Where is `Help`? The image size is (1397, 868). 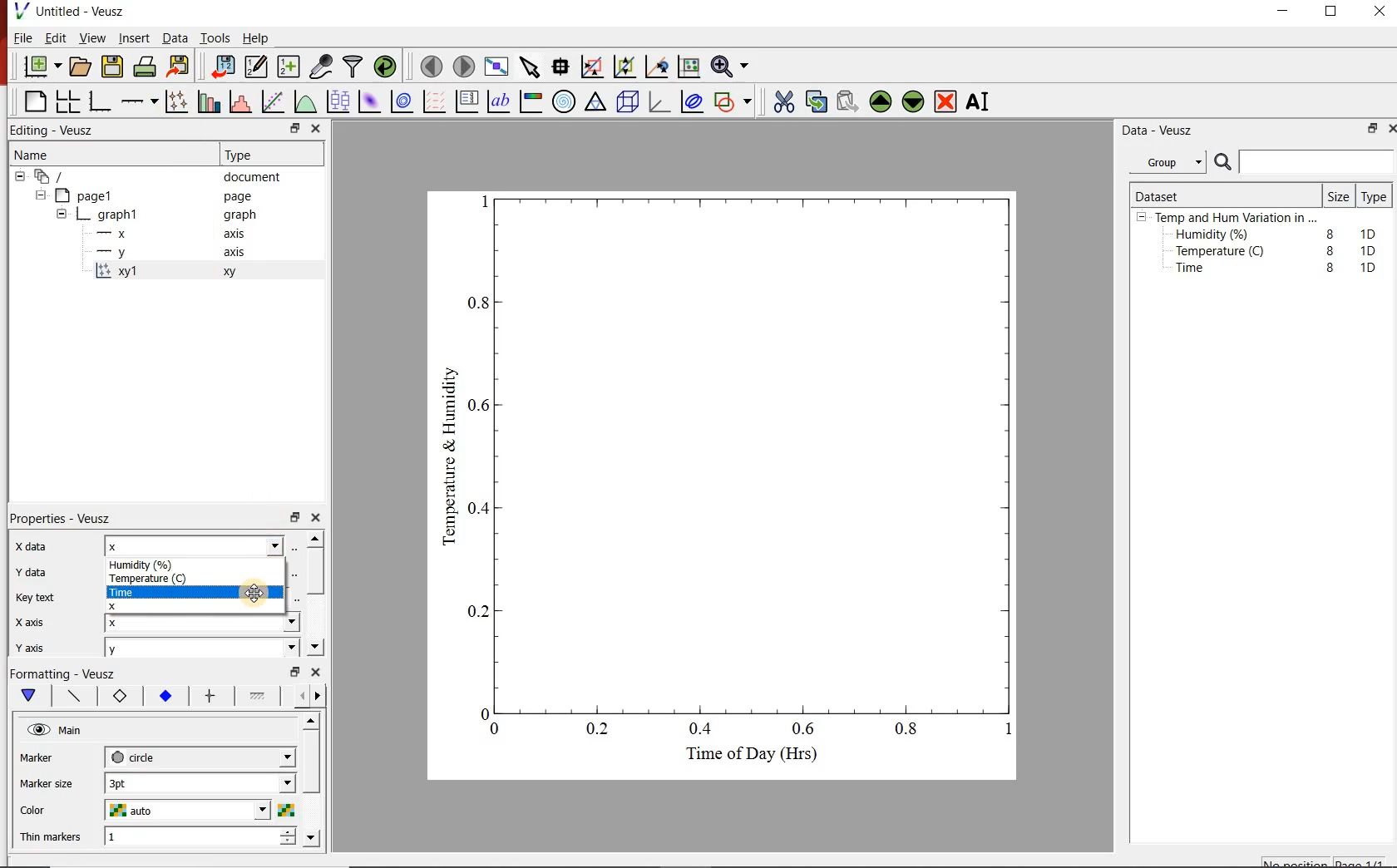
Help is located at coordinates (257, 37).